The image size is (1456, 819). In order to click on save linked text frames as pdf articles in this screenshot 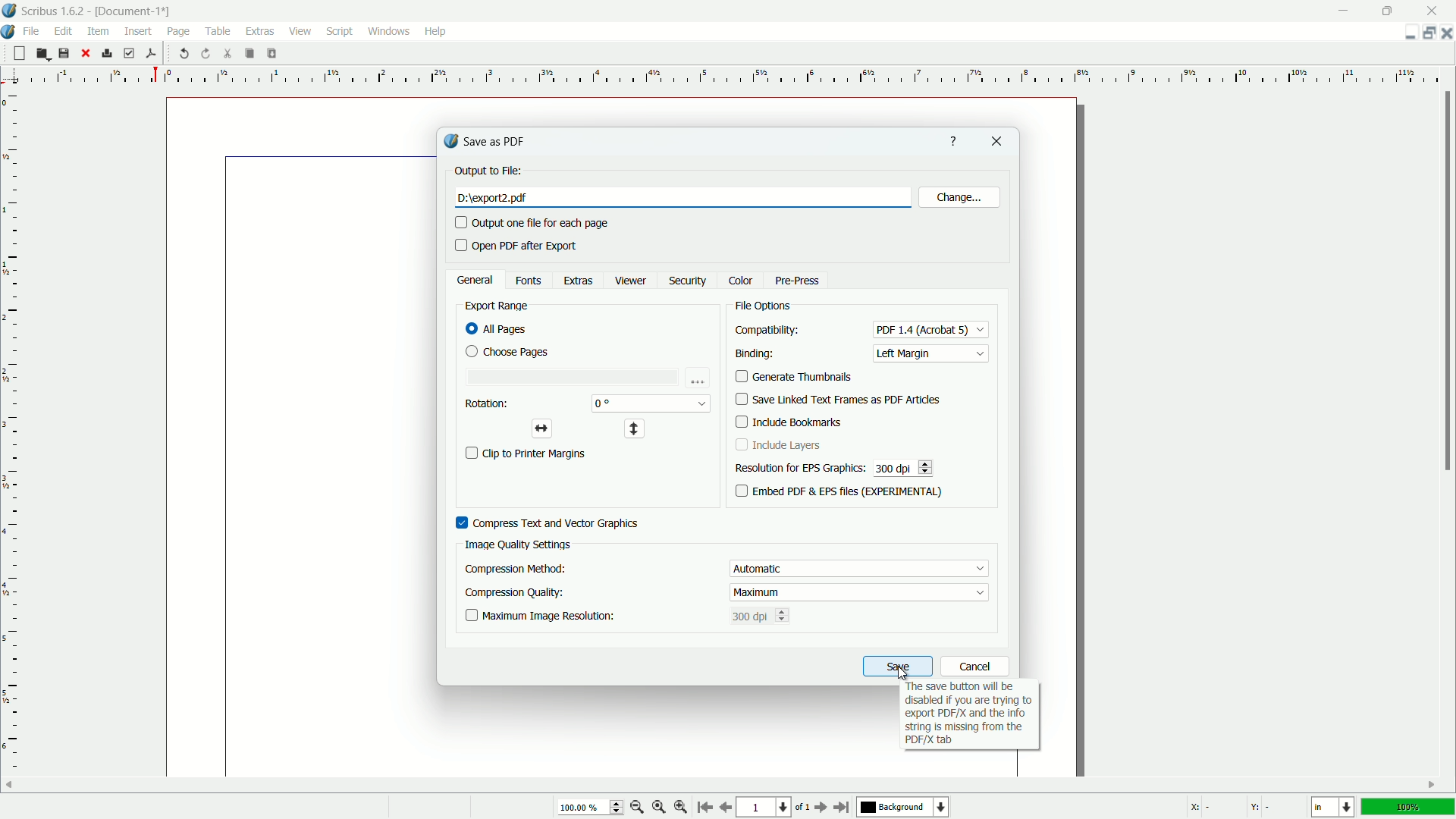, I will do `click(836, 400)`.